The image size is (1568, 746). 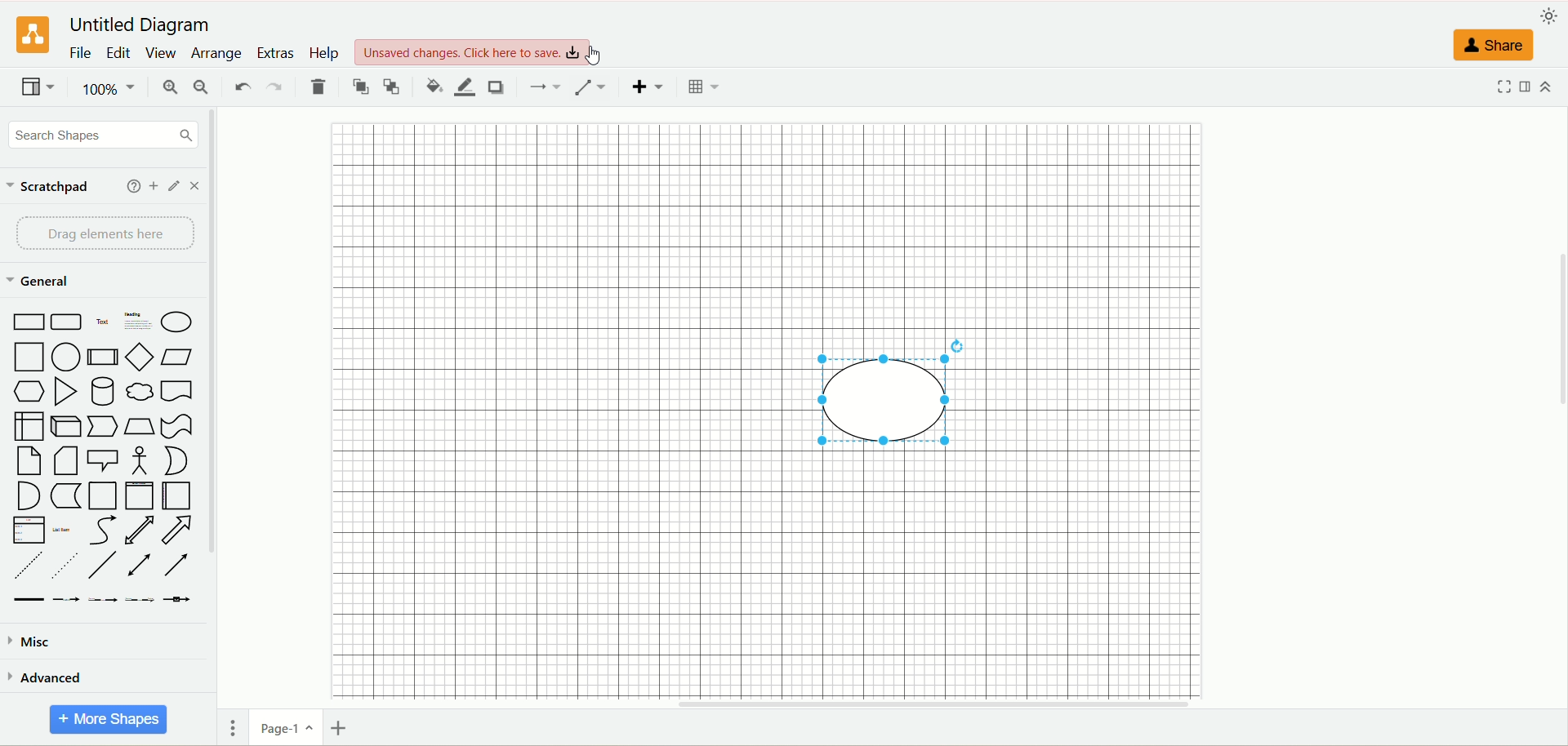 I want to click on add, so click(x=153, y=187).